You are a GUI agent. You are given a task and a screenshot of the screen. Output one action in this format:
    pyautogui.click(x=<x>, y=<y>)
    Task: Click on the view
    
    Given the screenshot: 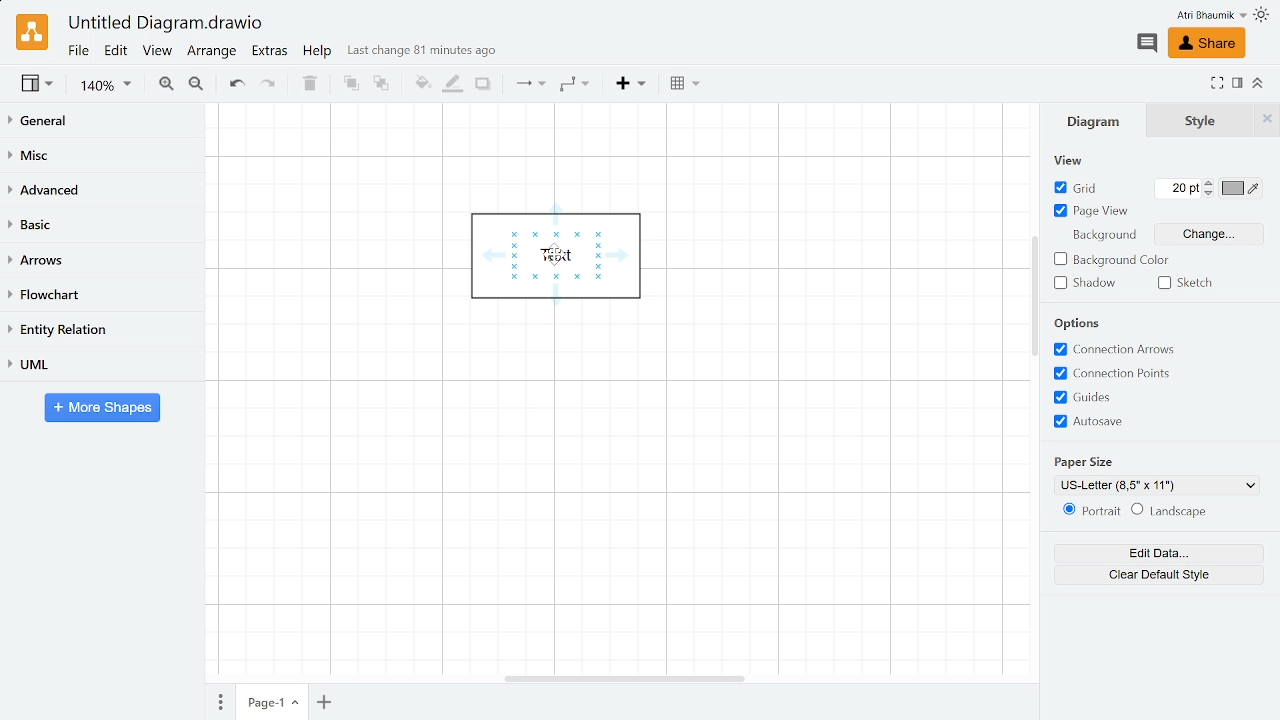 What is the action you would take?
    pyautogui.click(x=1077, y=160)
    